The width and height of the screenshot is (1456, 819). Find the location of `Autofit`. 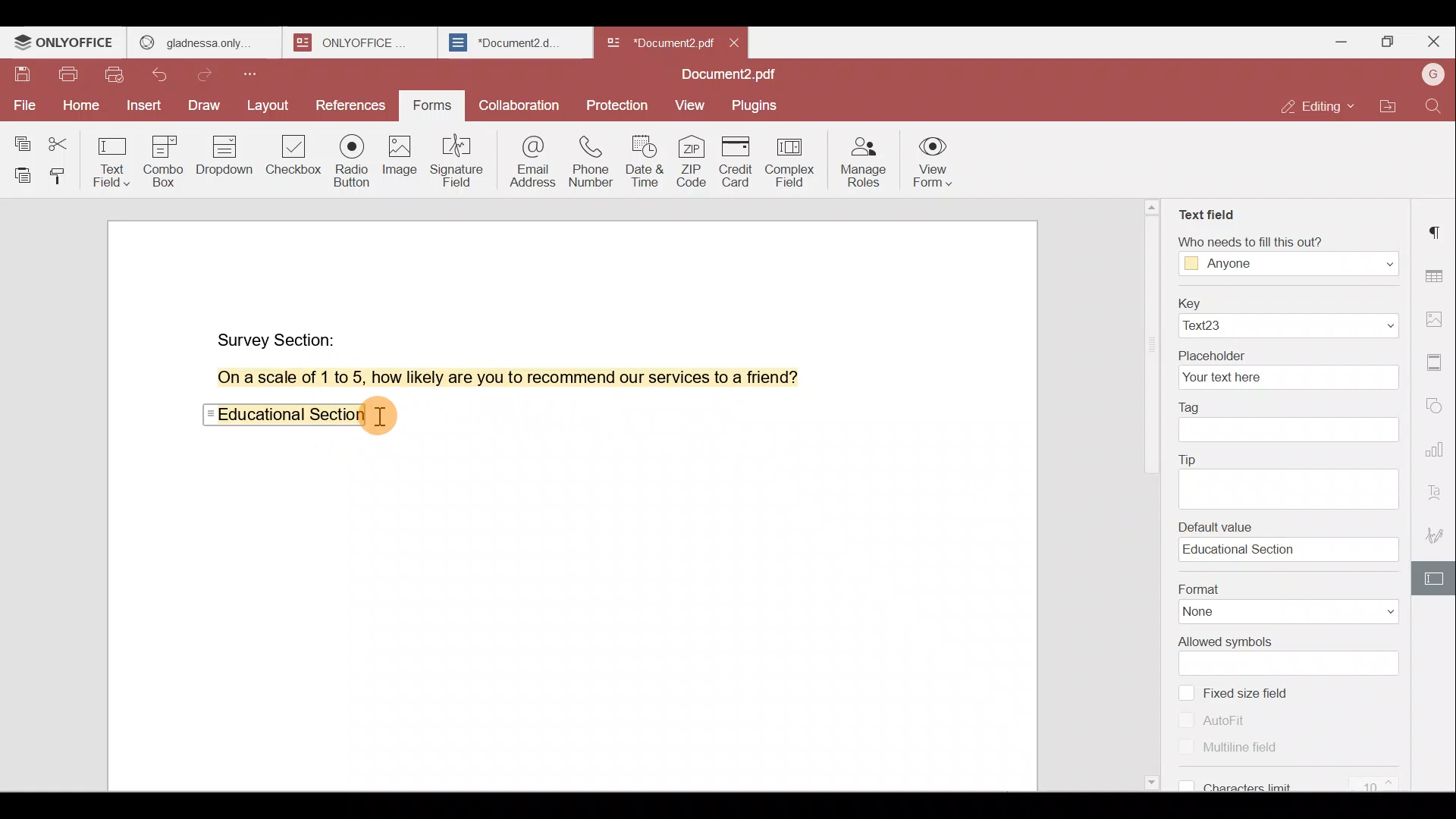

Autofit is located at coordinates (1219, 720).